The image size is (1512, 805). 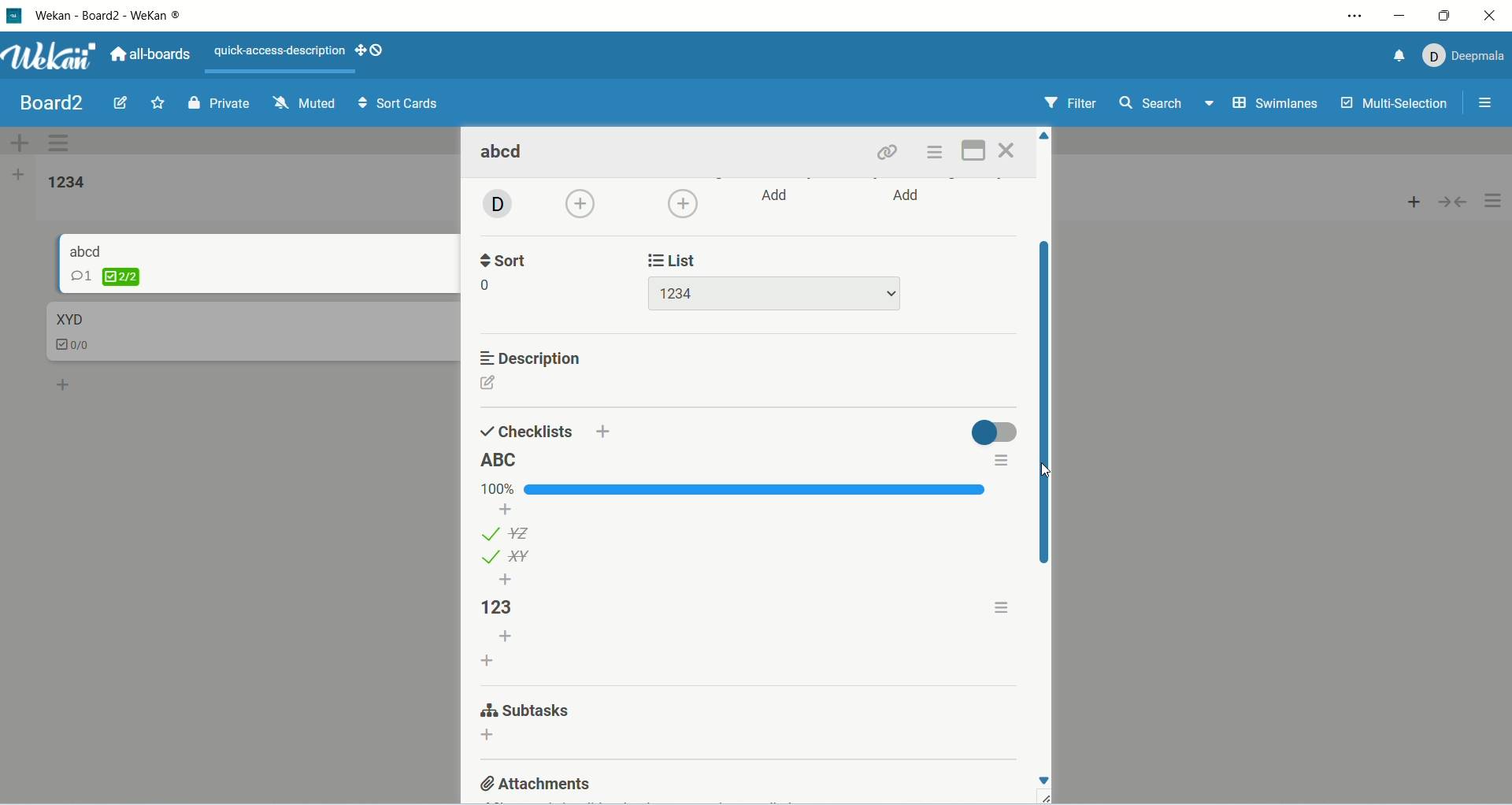 What do you see at coordinates (527, 430) in the screenshot?
I see `checklists` at bounding box center [527, 430].